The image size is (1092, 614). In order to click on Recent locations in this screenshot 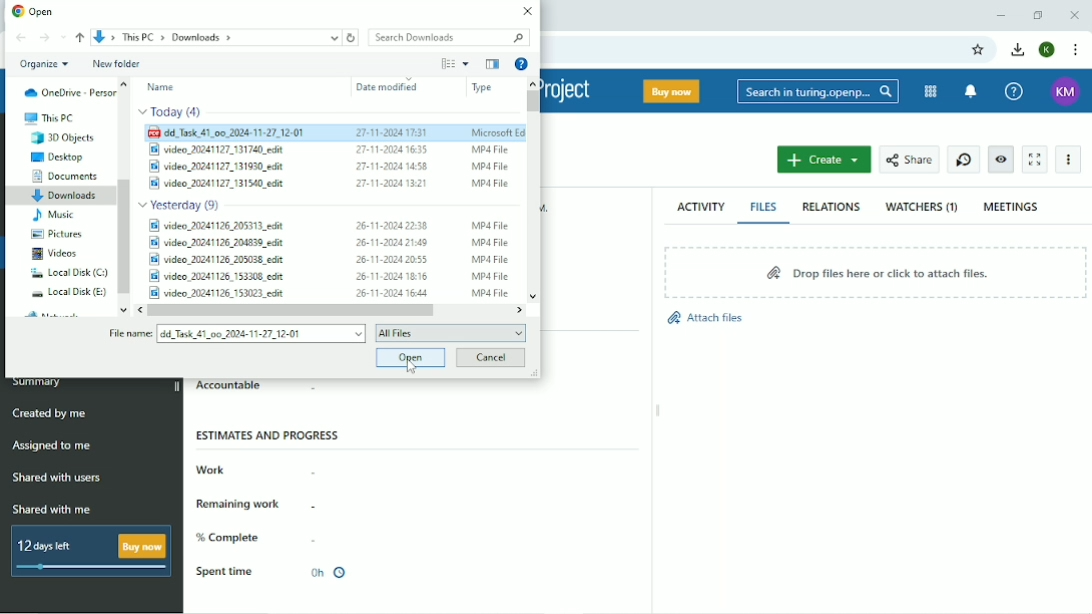, I will do `click(64, 37)`.